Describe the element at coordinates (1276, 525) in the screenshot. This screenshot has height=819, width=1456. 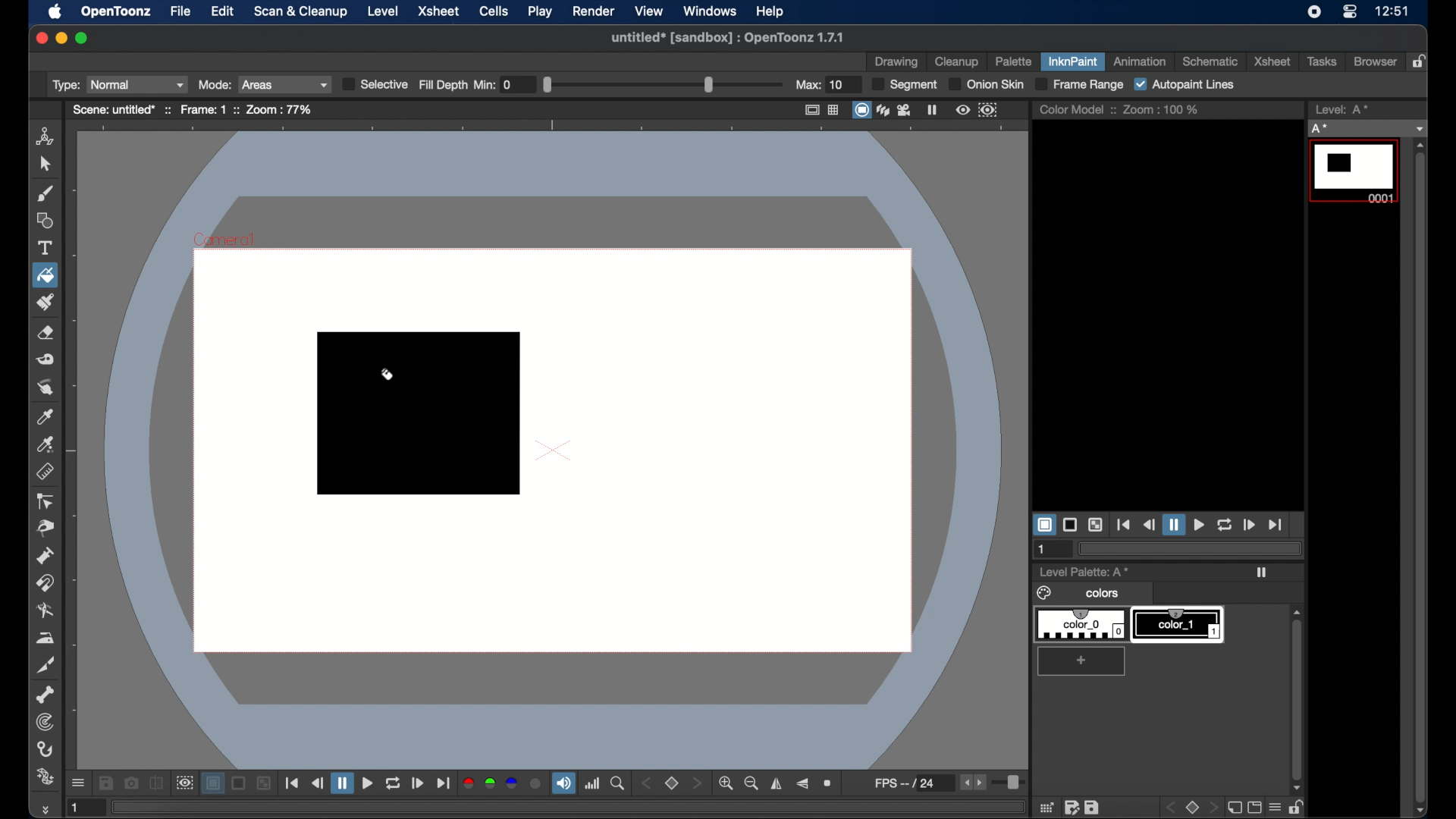
I see `jump to end` at that location.